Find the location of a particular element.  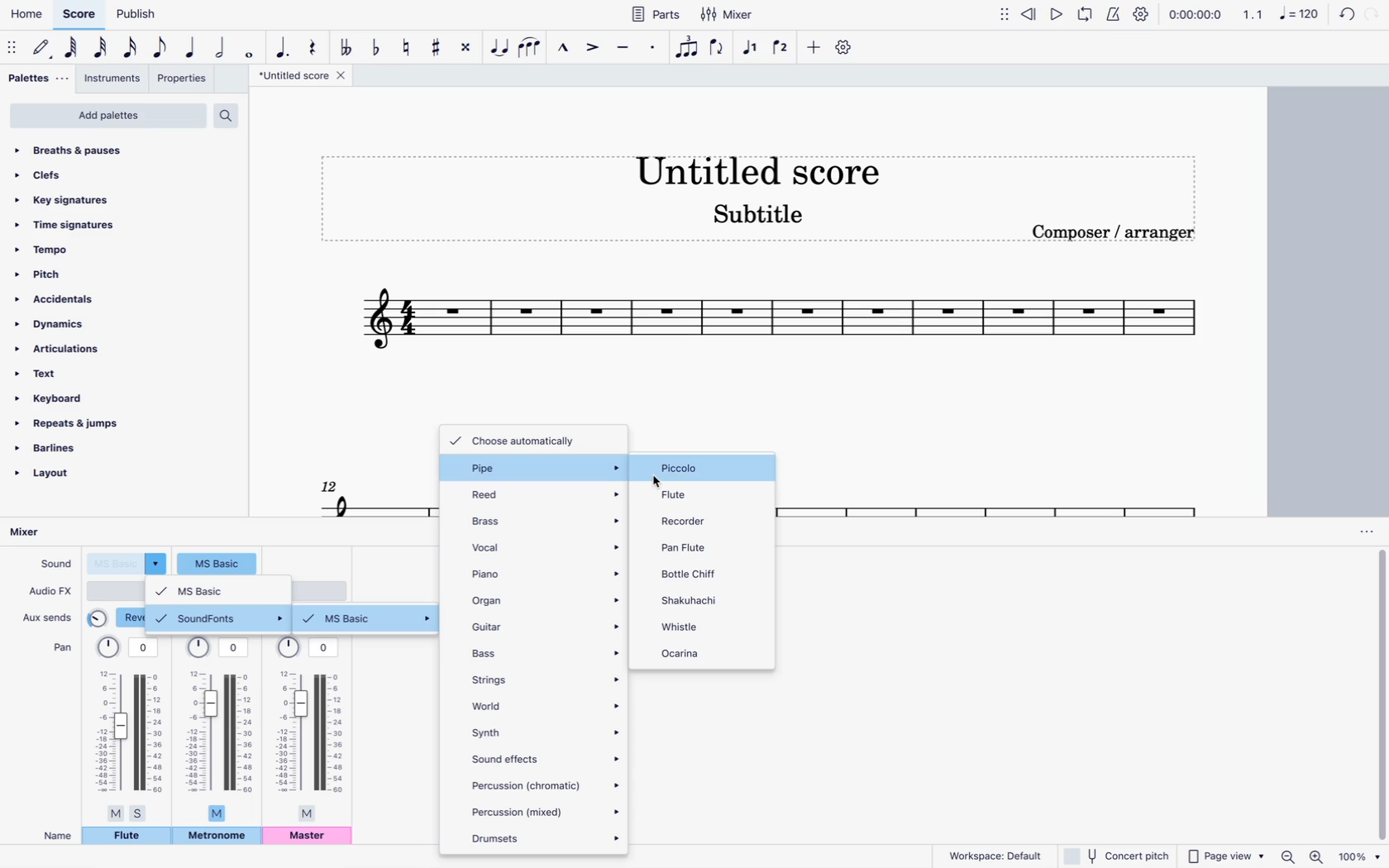

reverb is located at coordinates (117, 618).